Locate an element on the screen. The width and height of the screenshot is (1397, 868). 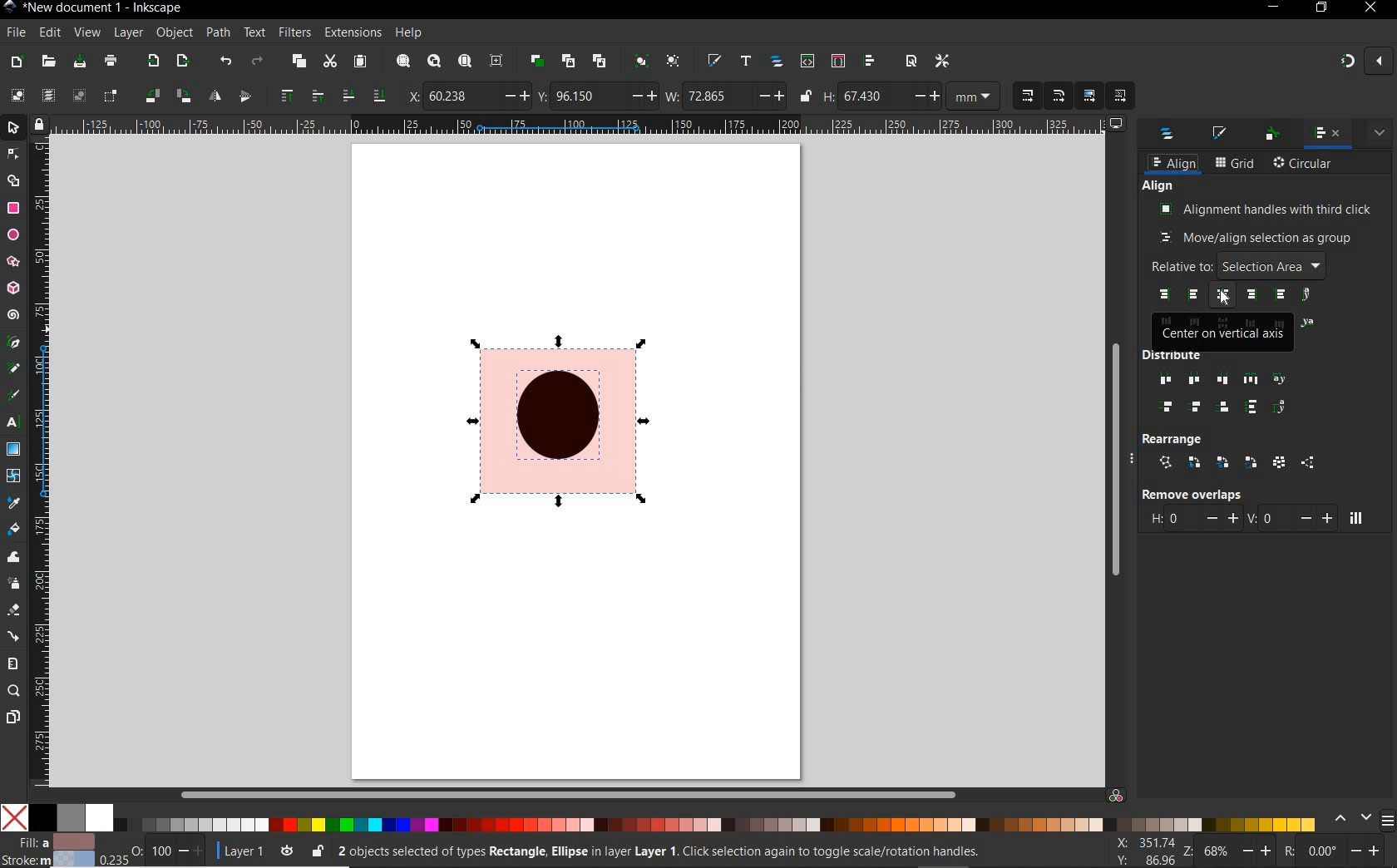
spray tool is located at coordinates (15, 585).